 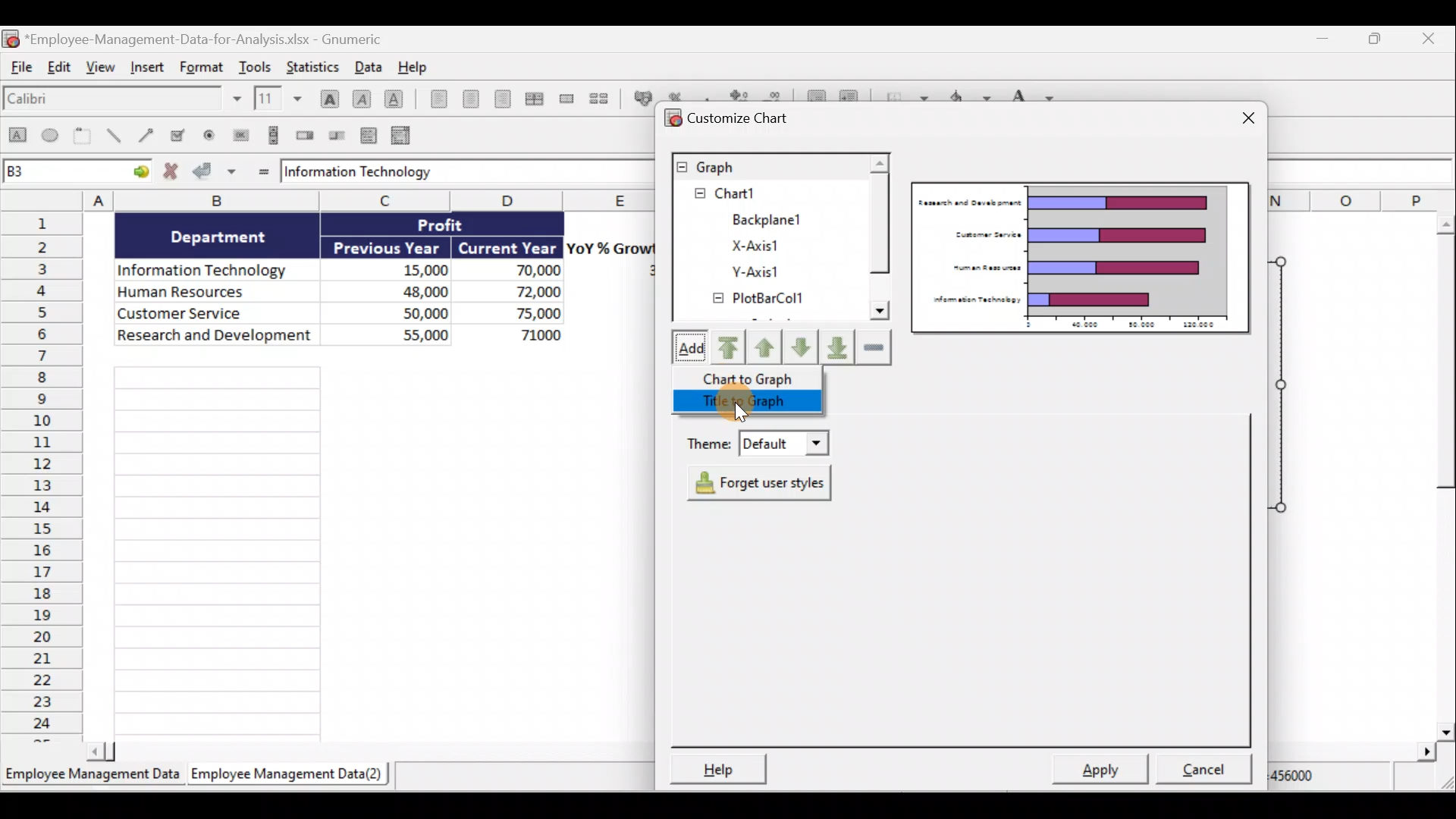 What do you see at coordinates (194, 37) in the screenshot?
I see `Document name` at bounding box center [194, 37].